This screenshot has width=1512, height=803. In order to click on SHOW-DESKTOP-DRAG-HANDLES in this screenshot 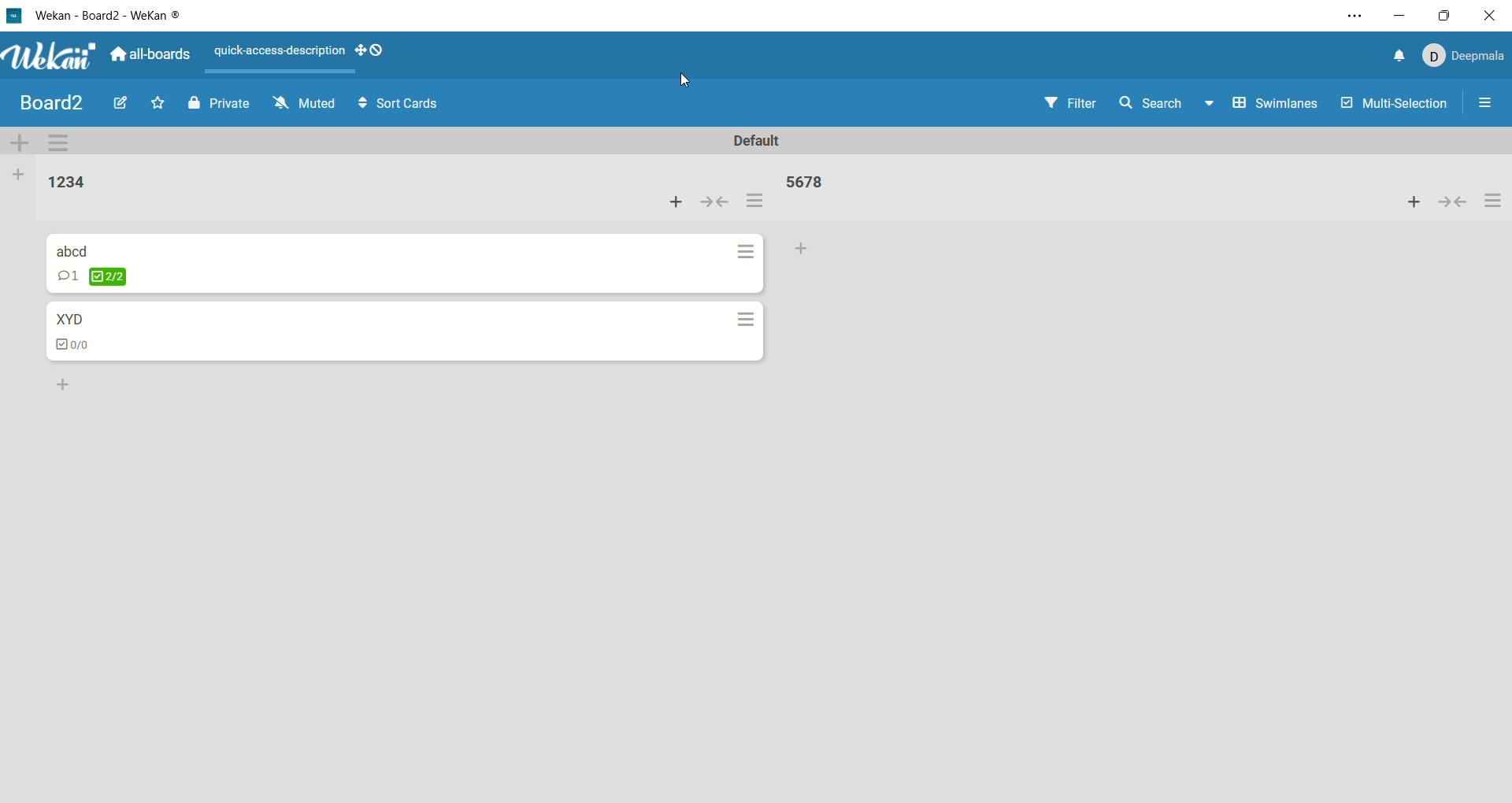, I will do `click(370, 51)`.